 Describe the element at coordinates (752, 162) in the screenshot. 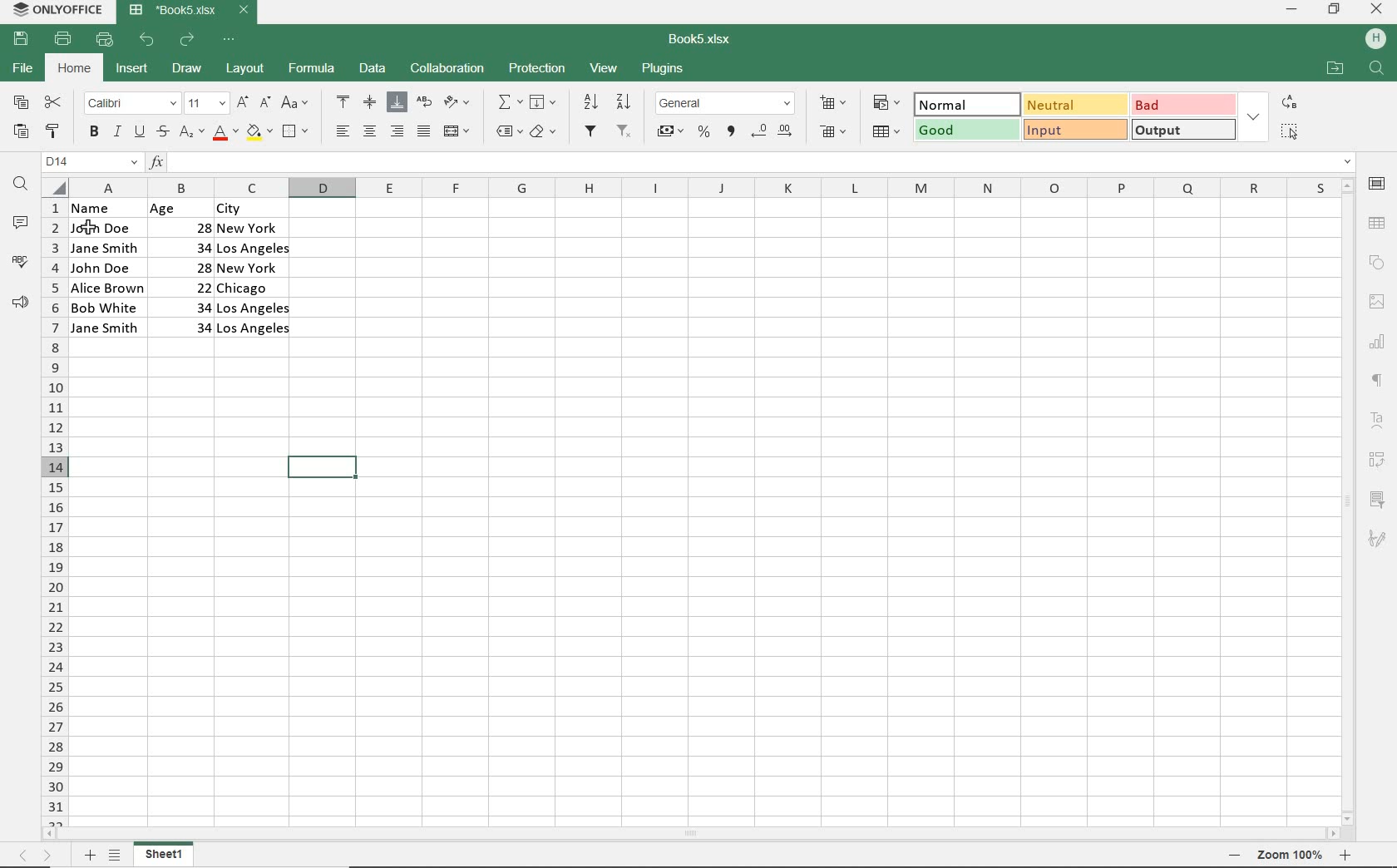

I see `INPUT FUNCTION` at that location.